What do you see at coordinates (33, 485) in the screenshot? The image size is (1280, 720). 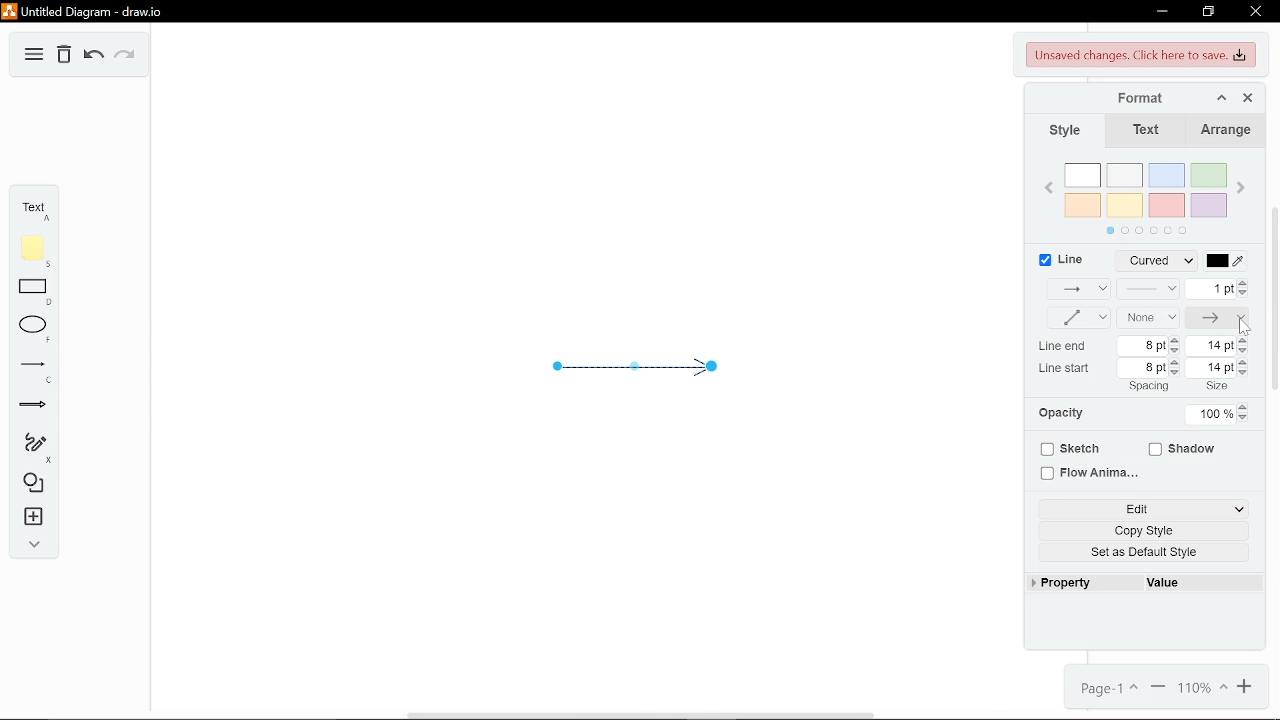 I see `Shapes` at bounding box center [33, 485].